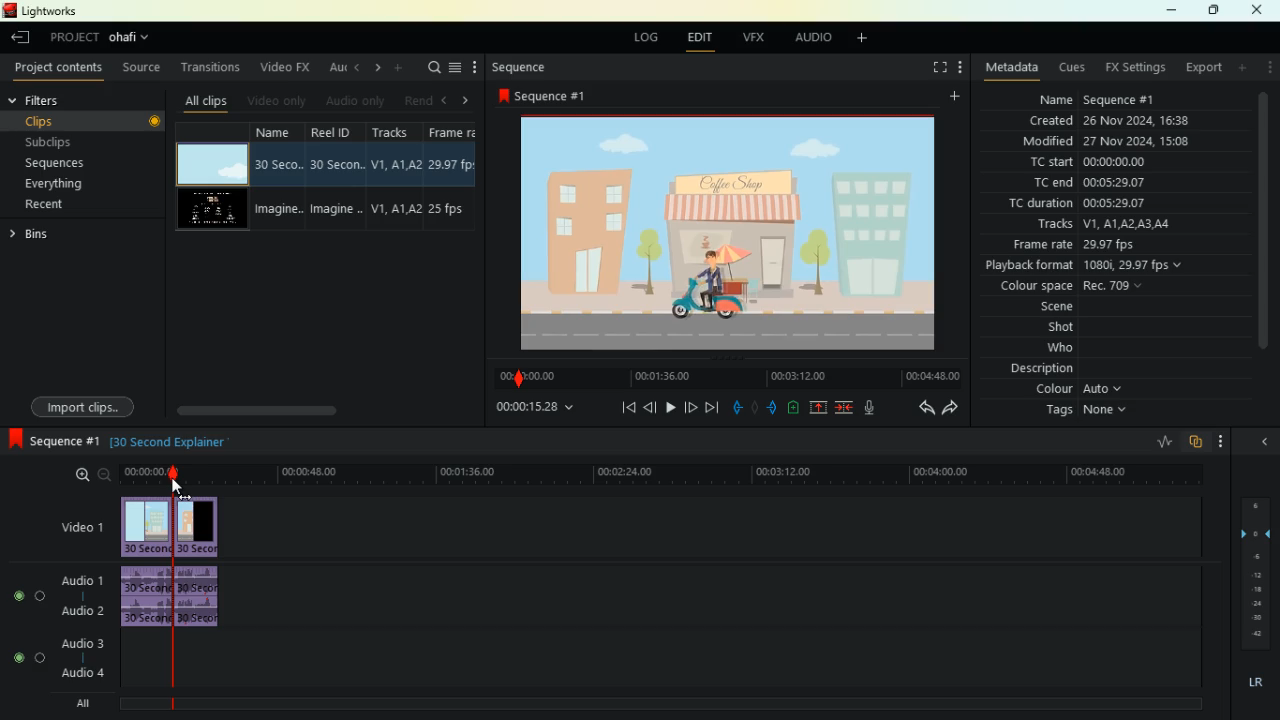 The image size is (1280, 720). Describe the element at coordinates (452, 133) in the screenshot. I see `Frame ` at that location.